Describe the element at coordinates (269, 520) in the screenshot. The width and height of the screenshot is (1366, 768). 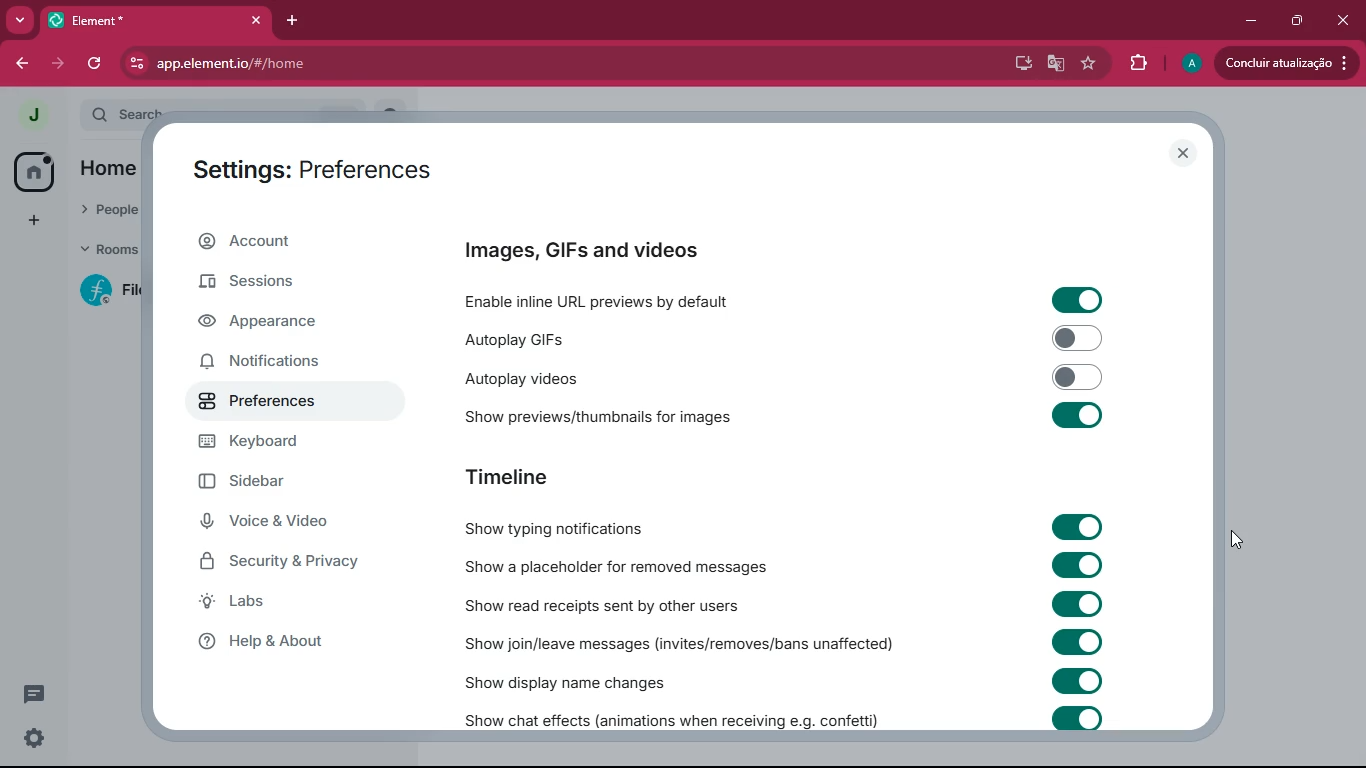
I see `voice & video` at that location.